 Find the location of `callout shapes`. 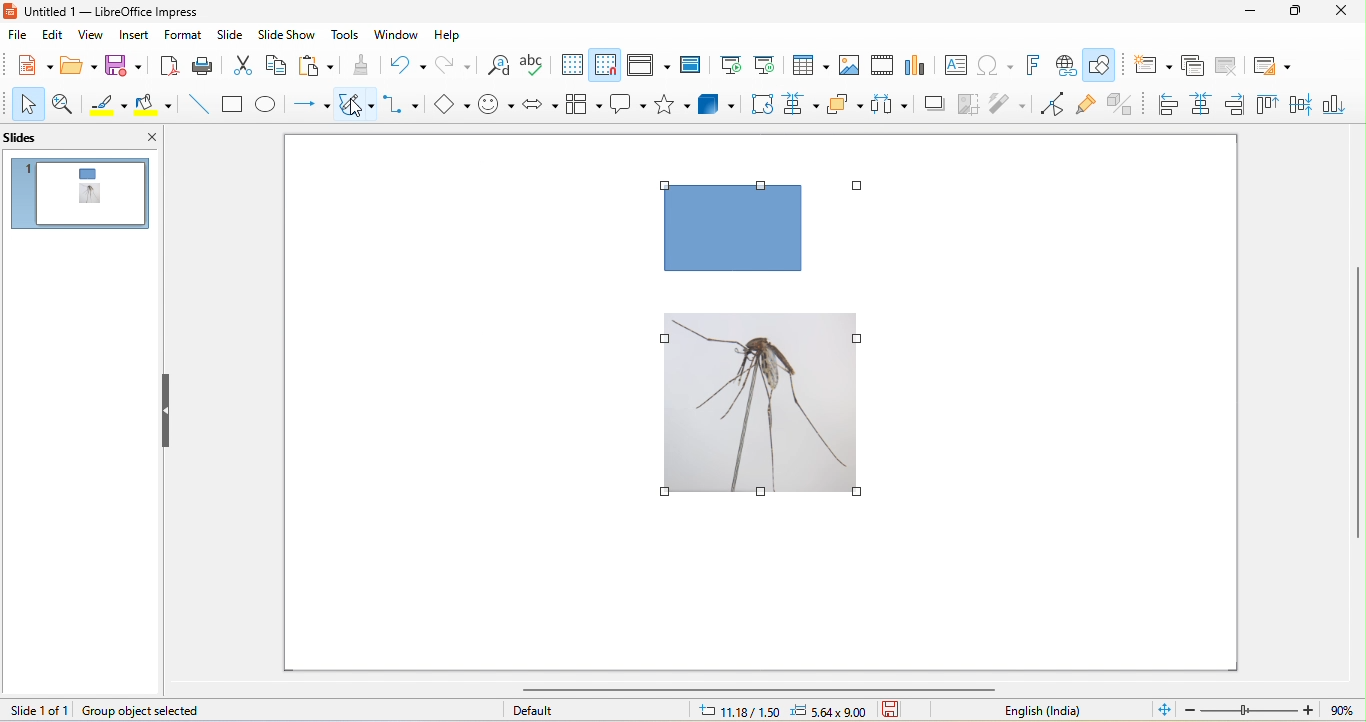

callout shapes is located at coordinates (628, 106).